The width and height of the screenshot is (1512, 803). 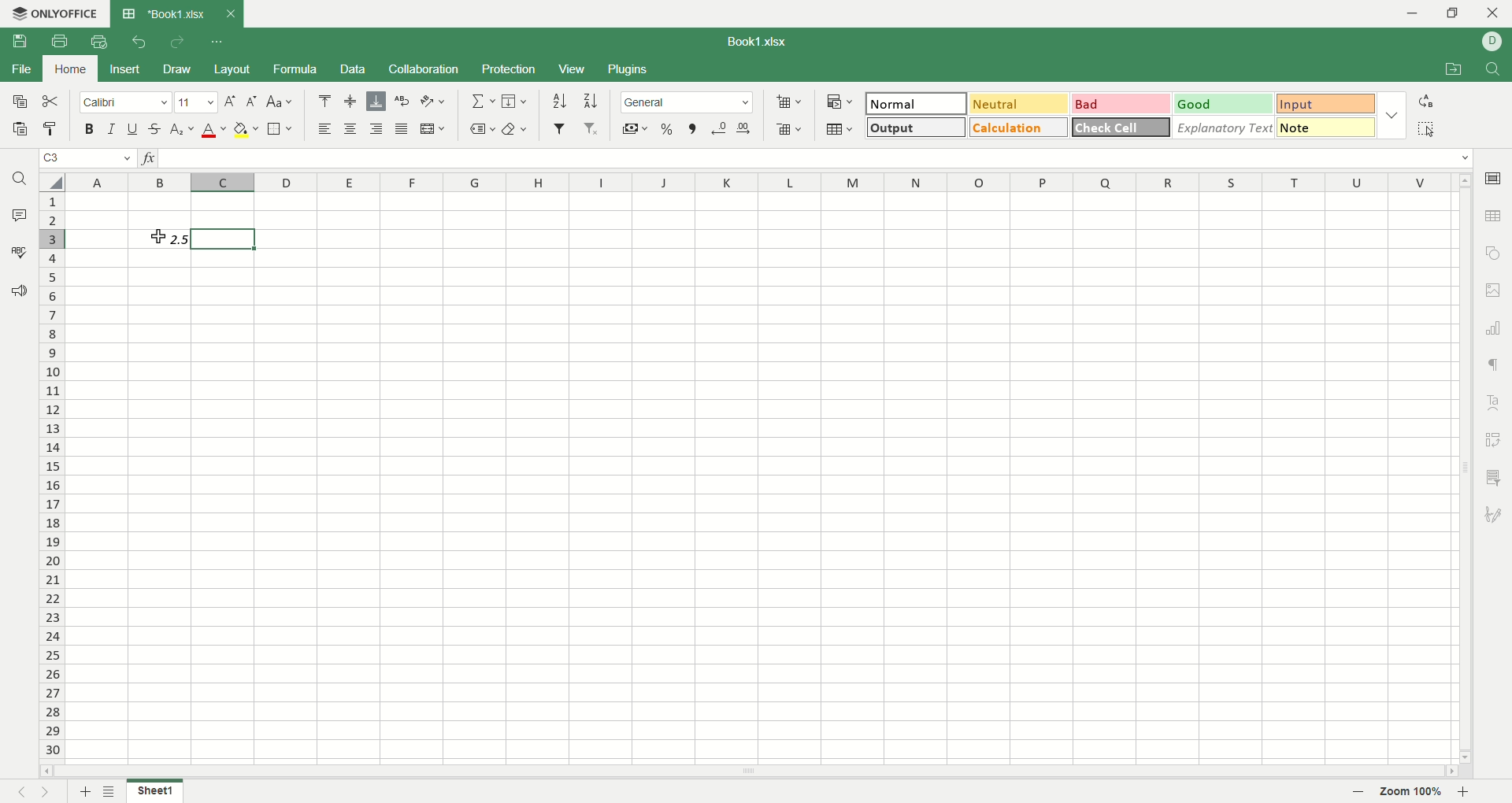 I want to click on Next, so click(x=48, y=791).